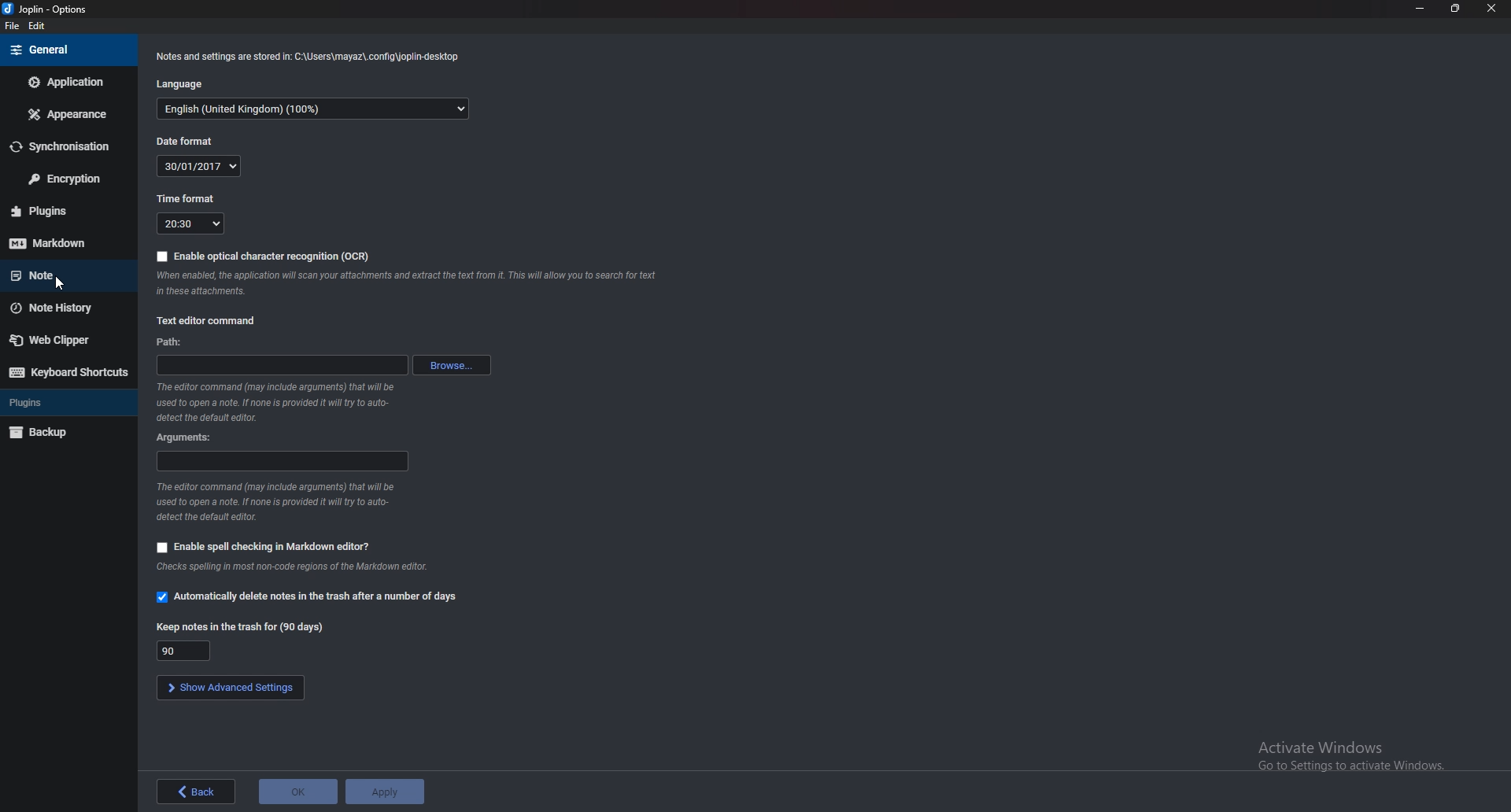 The image size is (1511, 812). Describe the element at coordinates (450, 363) in the screenshot. I see `browse` at that location.